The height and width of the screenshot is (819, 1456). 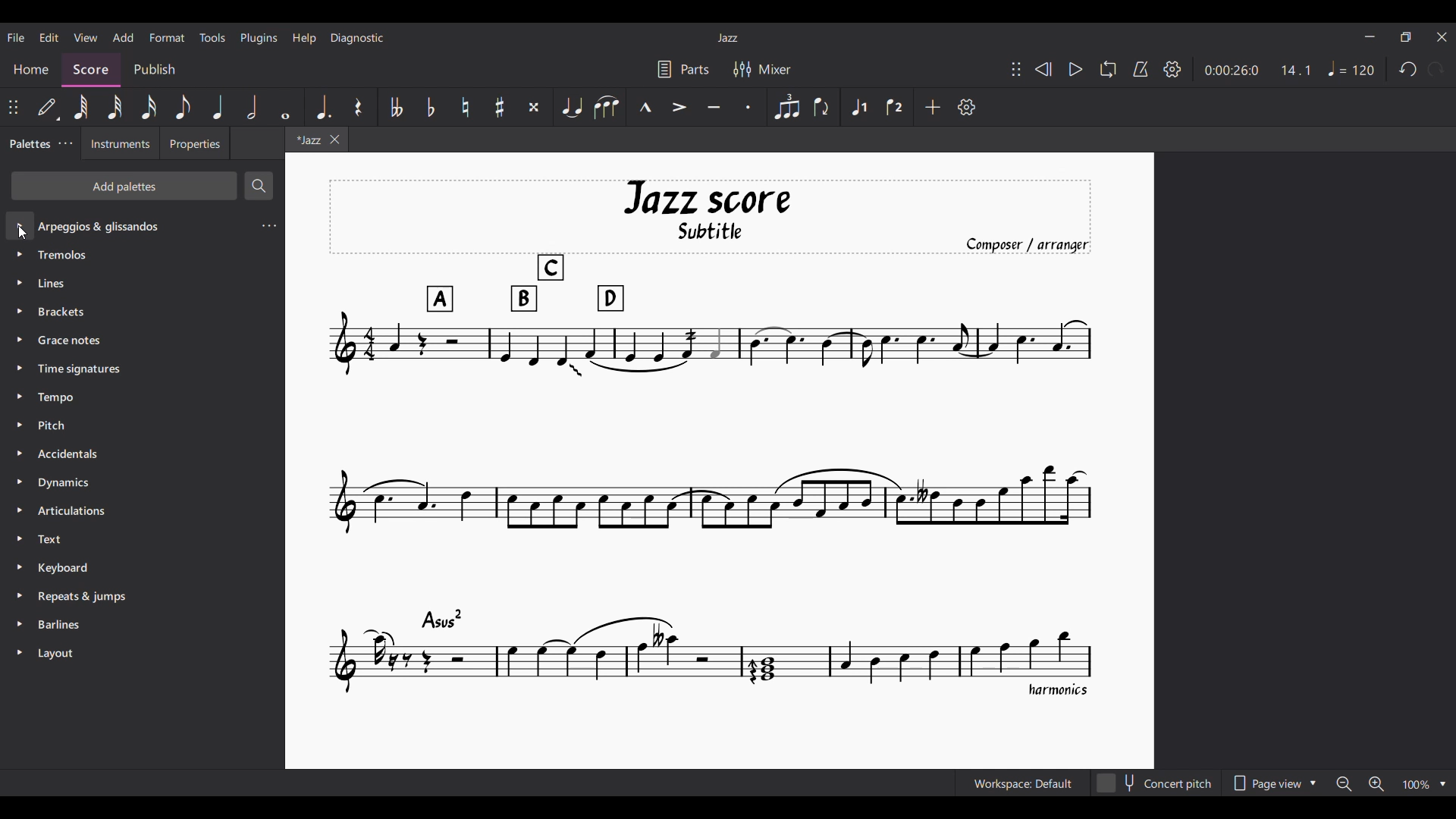 I want to click on Current score, so click(x=711, y=439).